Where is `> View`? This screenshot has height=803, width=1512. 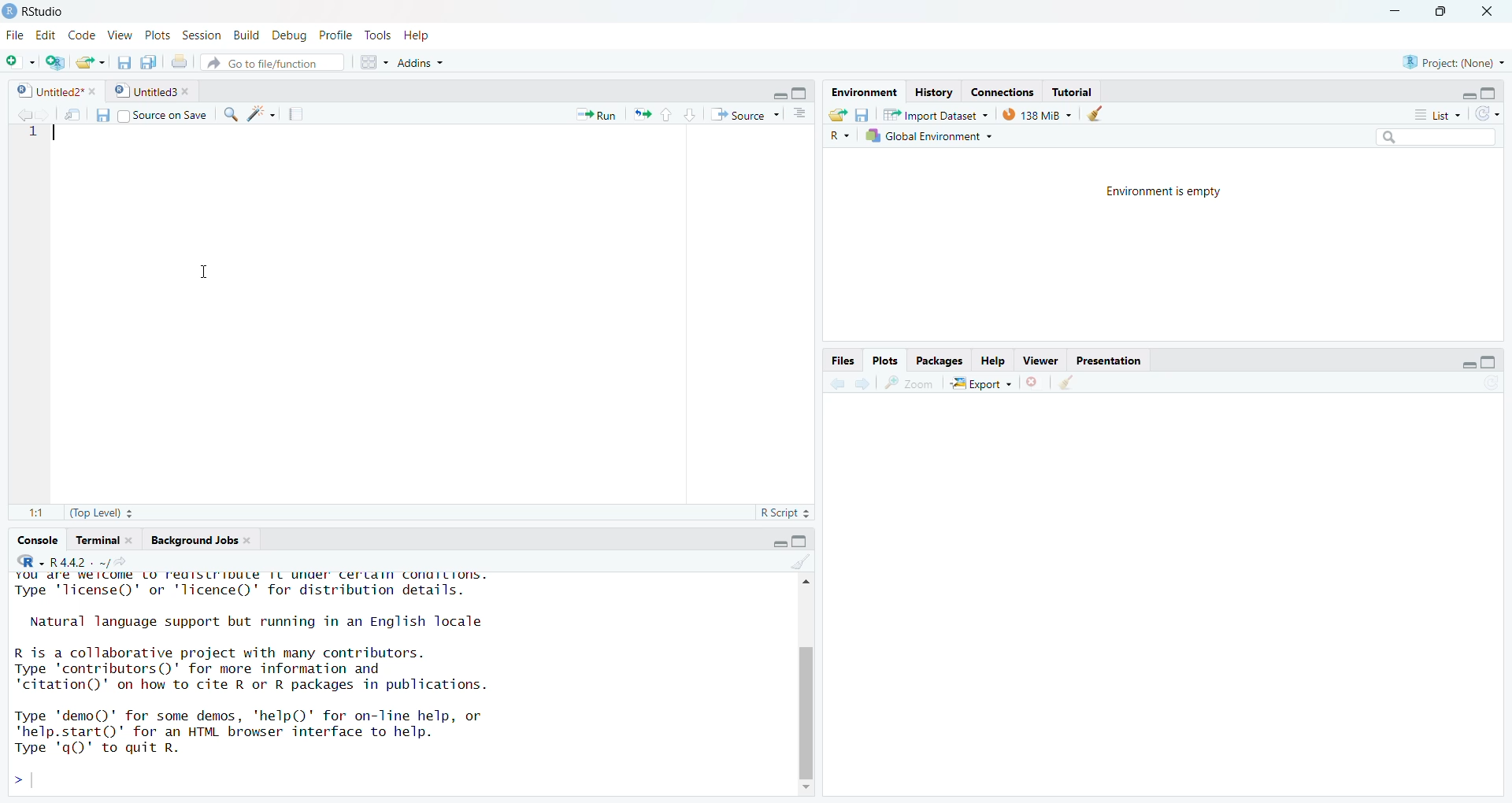
> View is located at coordinates (122, 35).